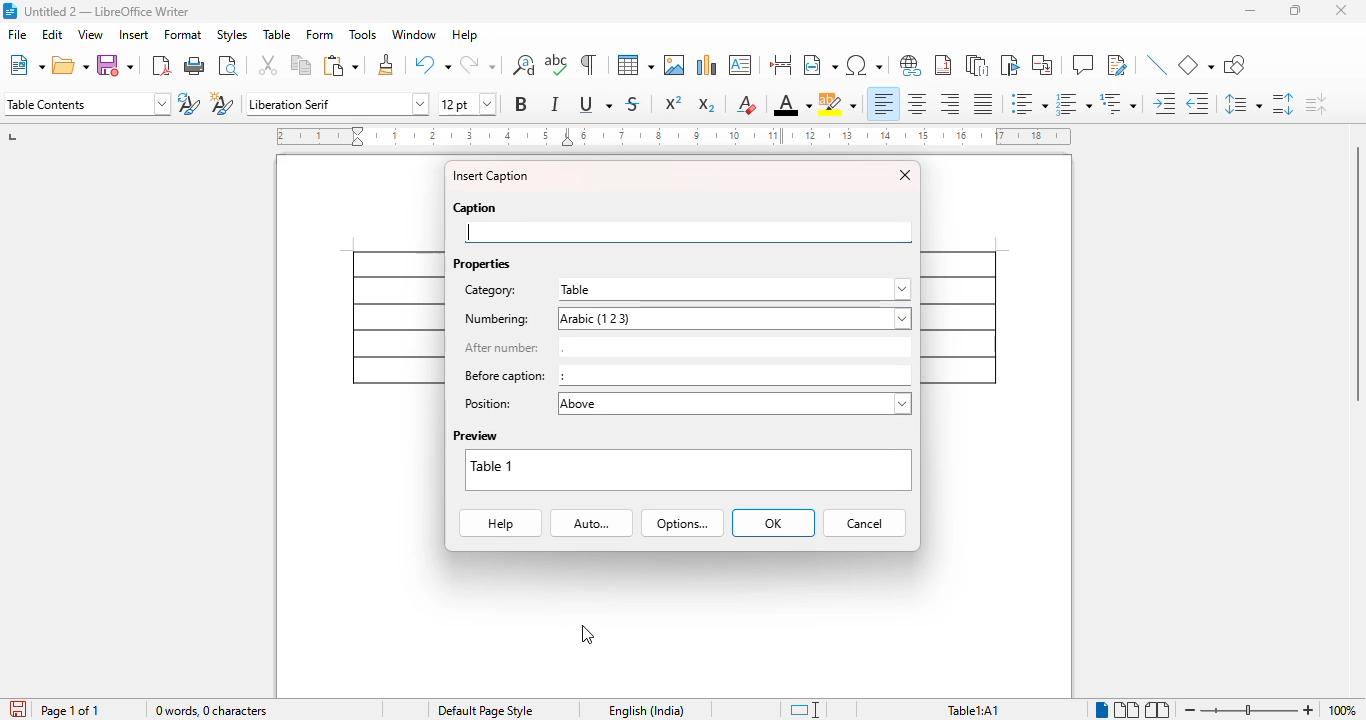 The width and height of the screenshot is (1366, 720). Describe the element at coordinates (523, 65) in the screenshot. I see `find and replace` at that location.